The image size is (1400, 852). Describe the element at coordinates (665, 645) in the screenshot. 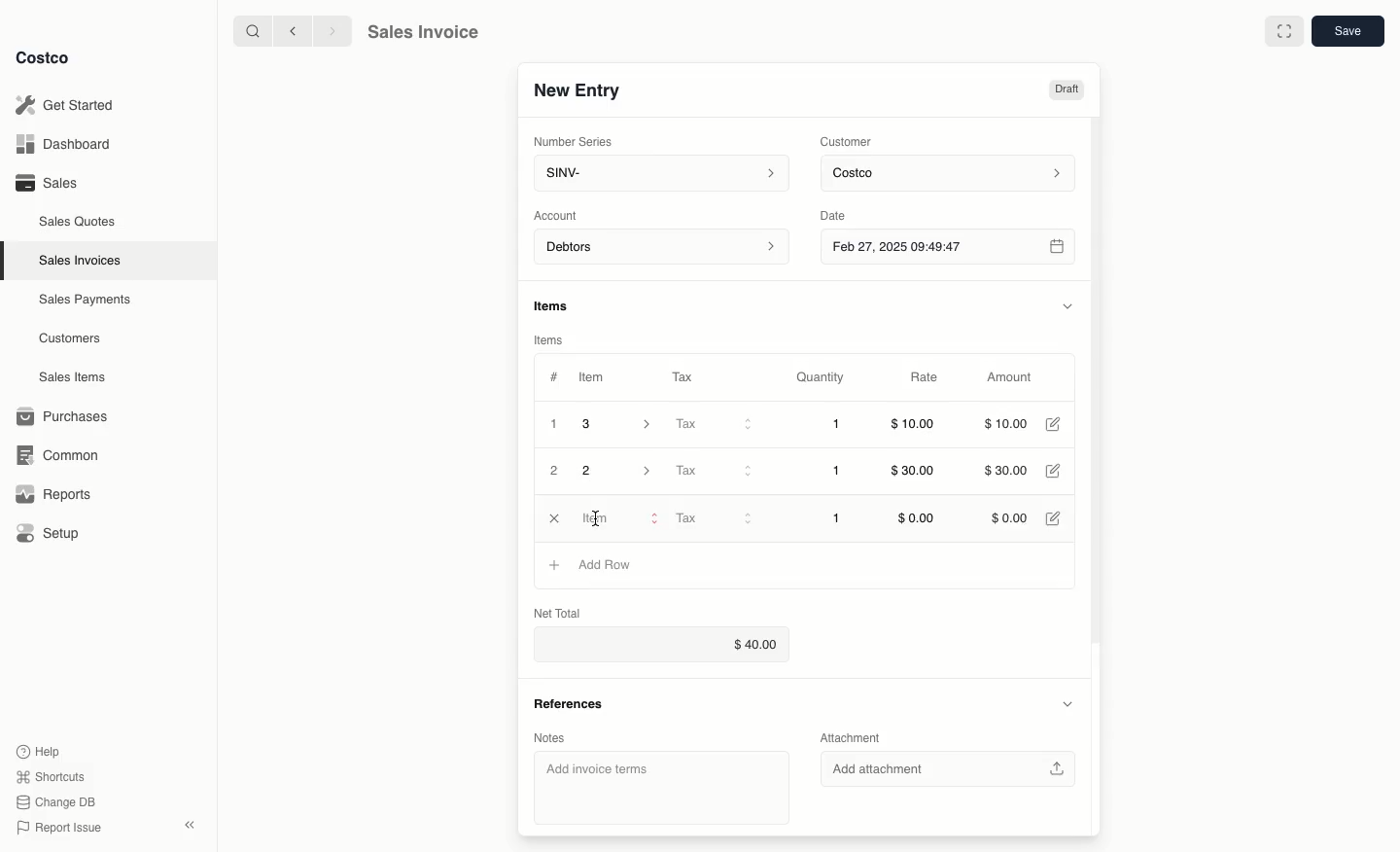

I see `$40.00` at that location.